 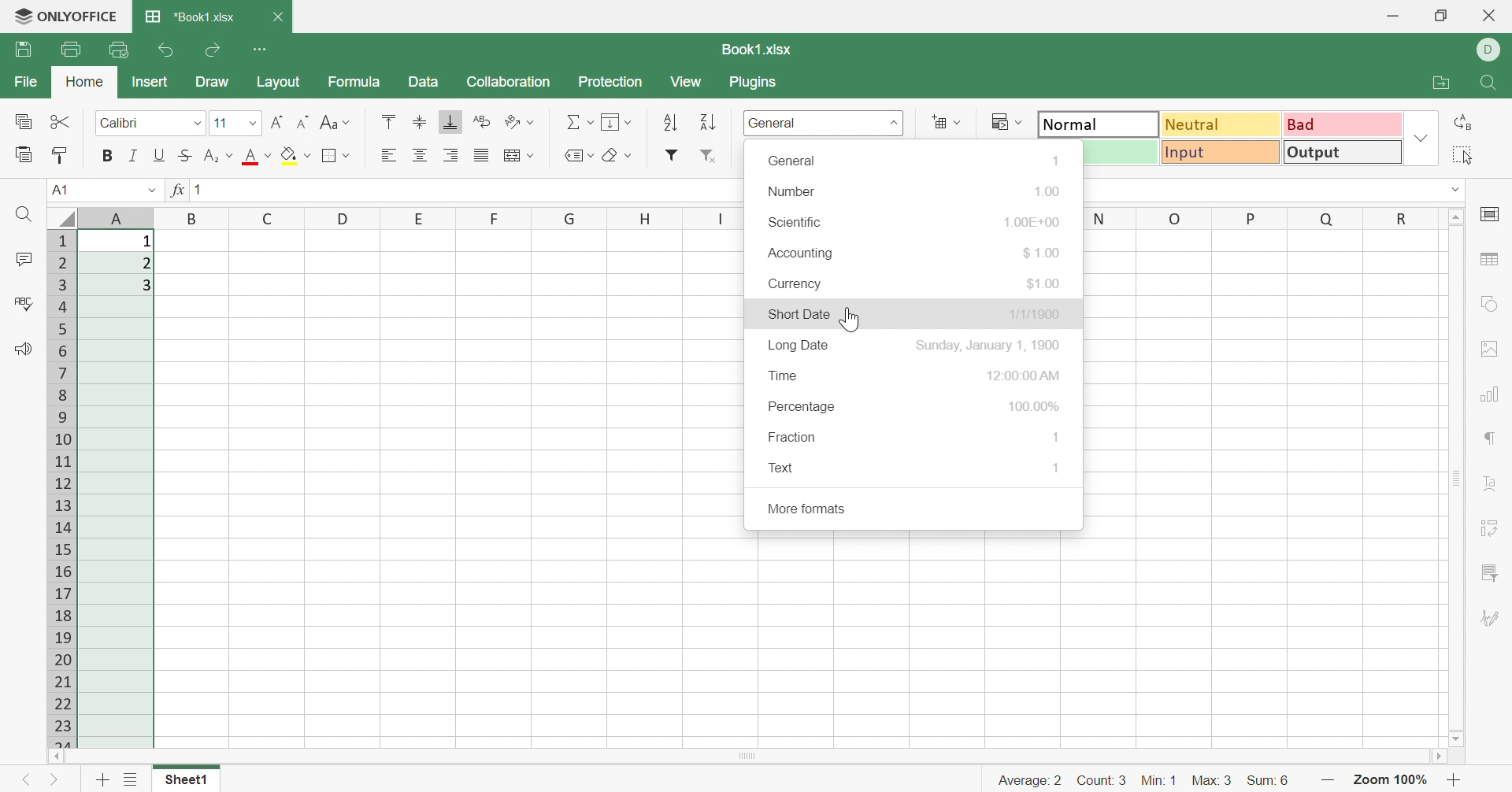 I want to click on Bold, so click(x=109, y=154).